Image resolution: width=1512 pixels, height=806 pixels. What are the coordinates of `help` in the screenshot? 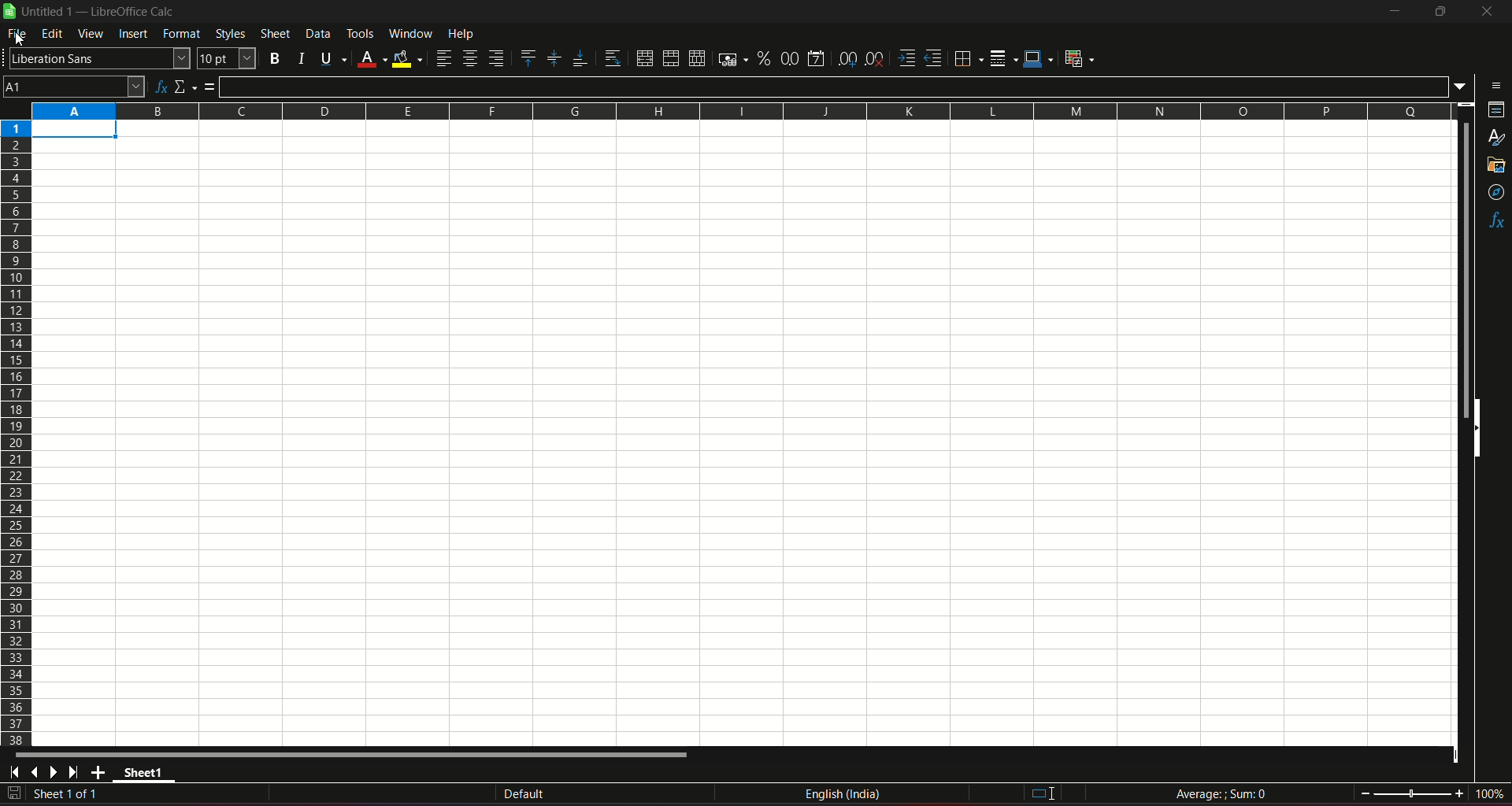 It's located at (472, 35).